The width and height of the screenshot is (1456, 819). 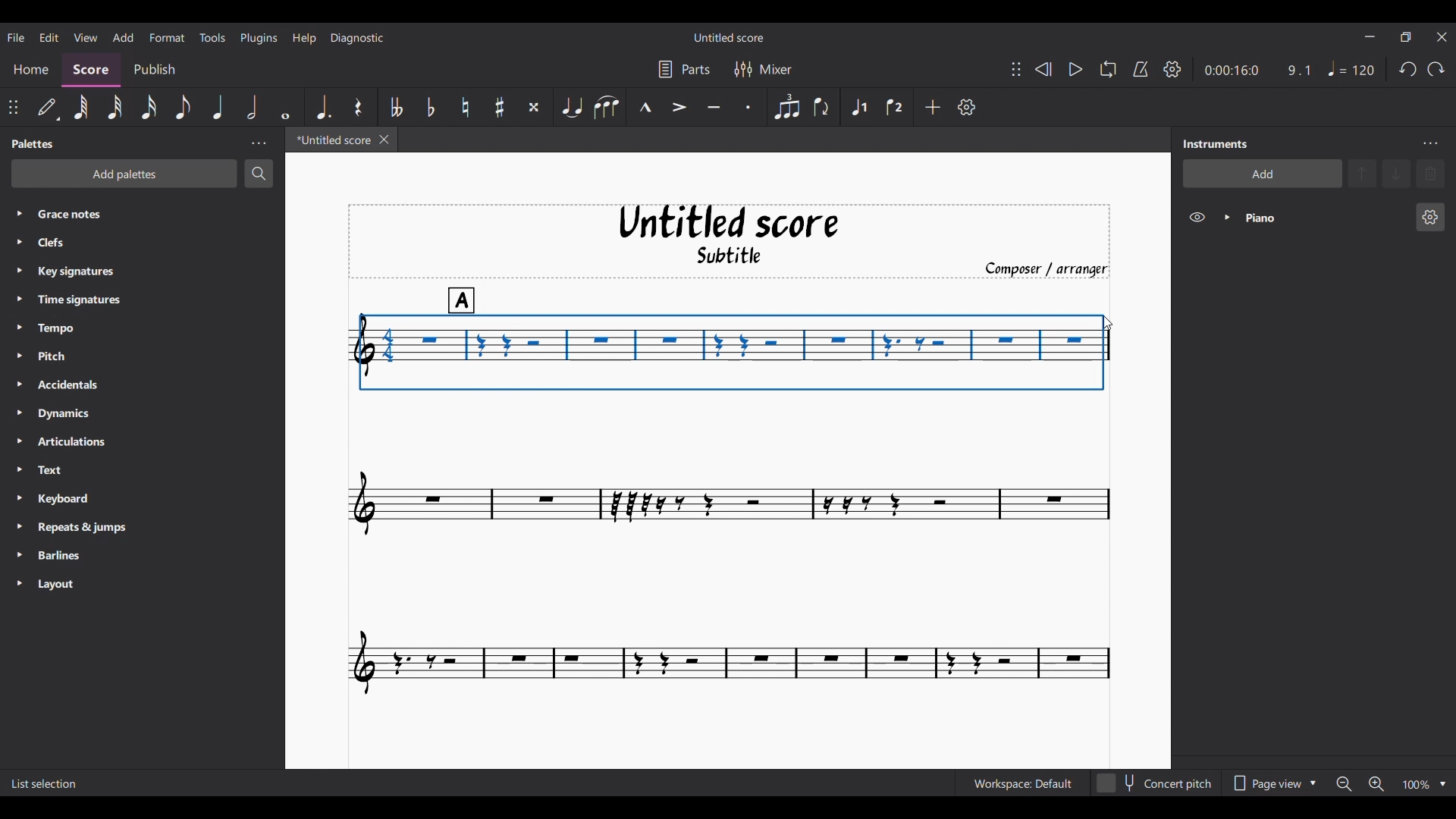 What do you see at coordinates (93, 299) in the screenshot?
I see `Time signatures` at bounding box center [93, 299].